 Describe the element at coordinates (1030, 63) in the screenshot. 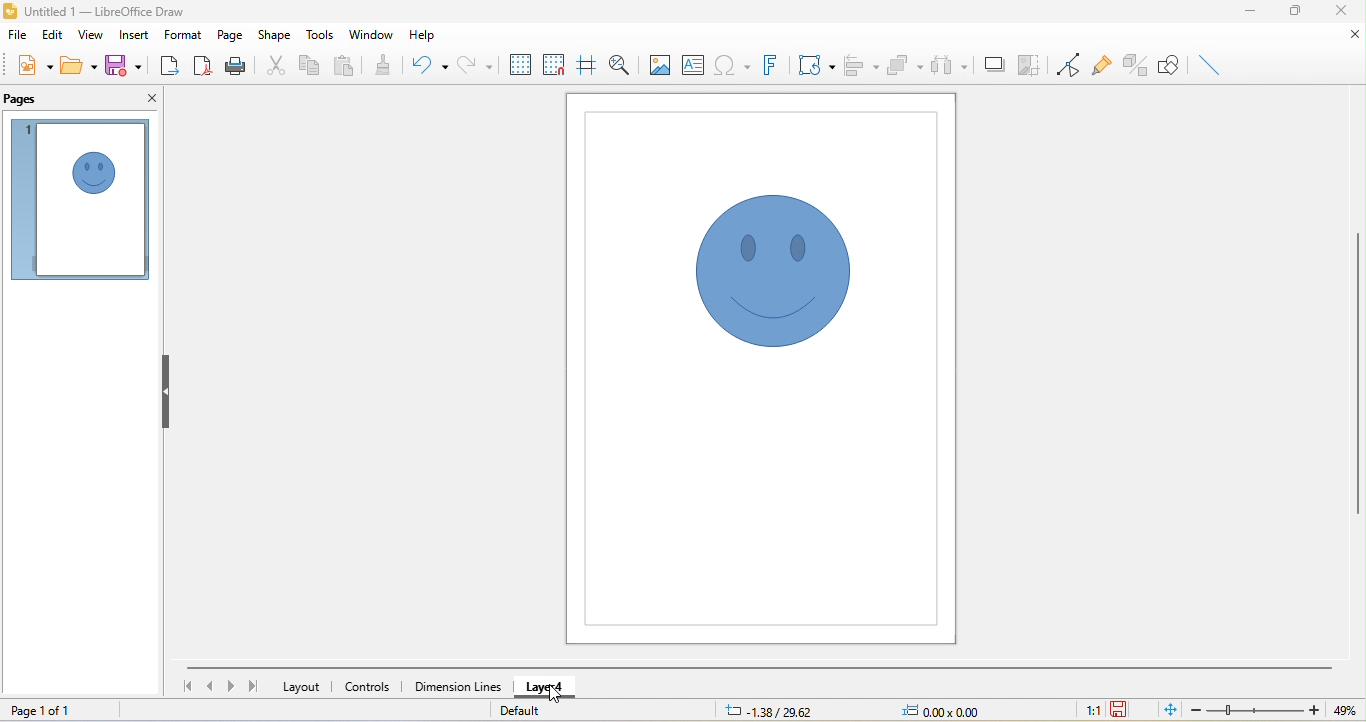

I see `crop image` at that location.